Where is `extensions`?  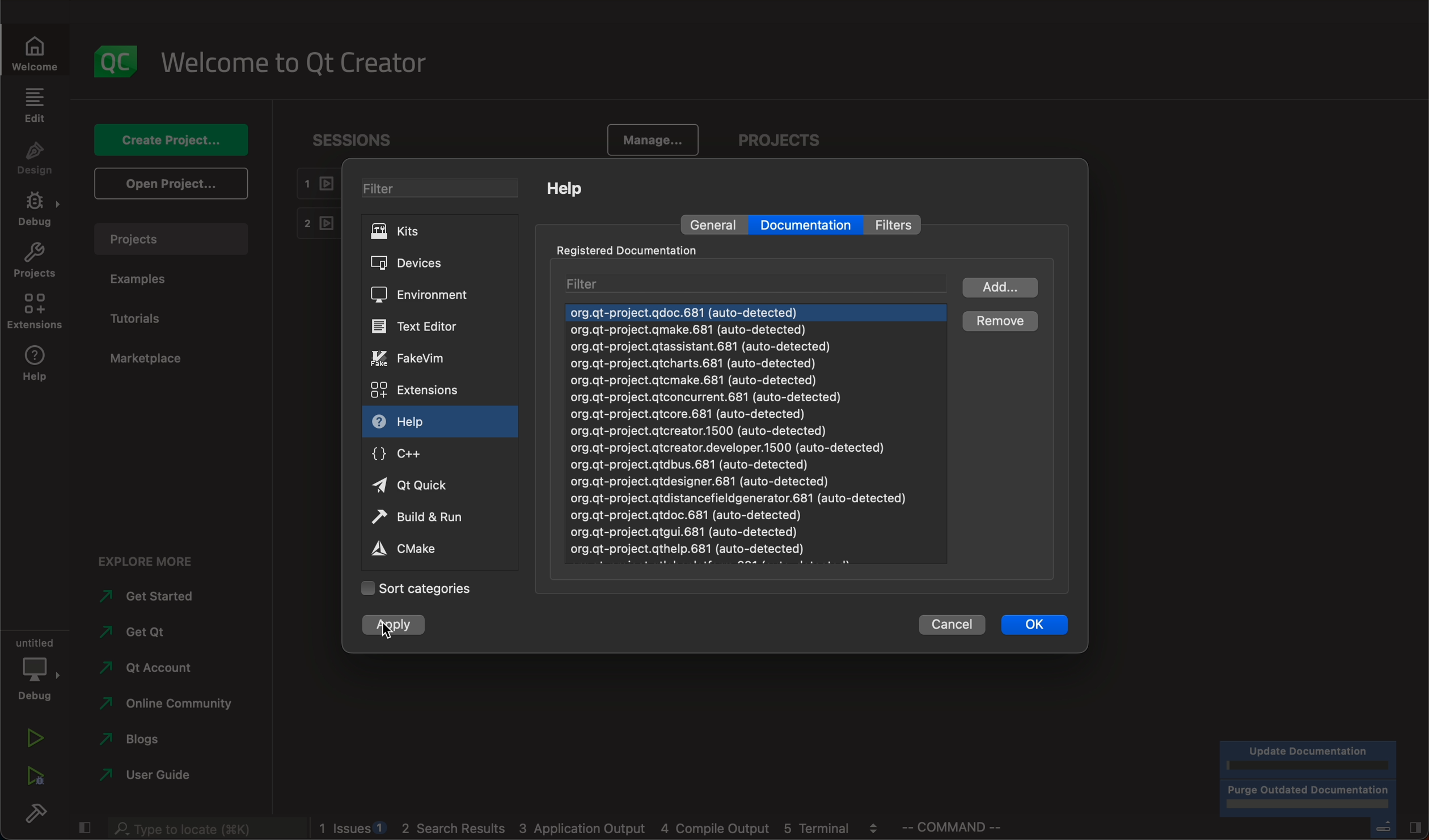
extensions is located at coordinates (40, 311).